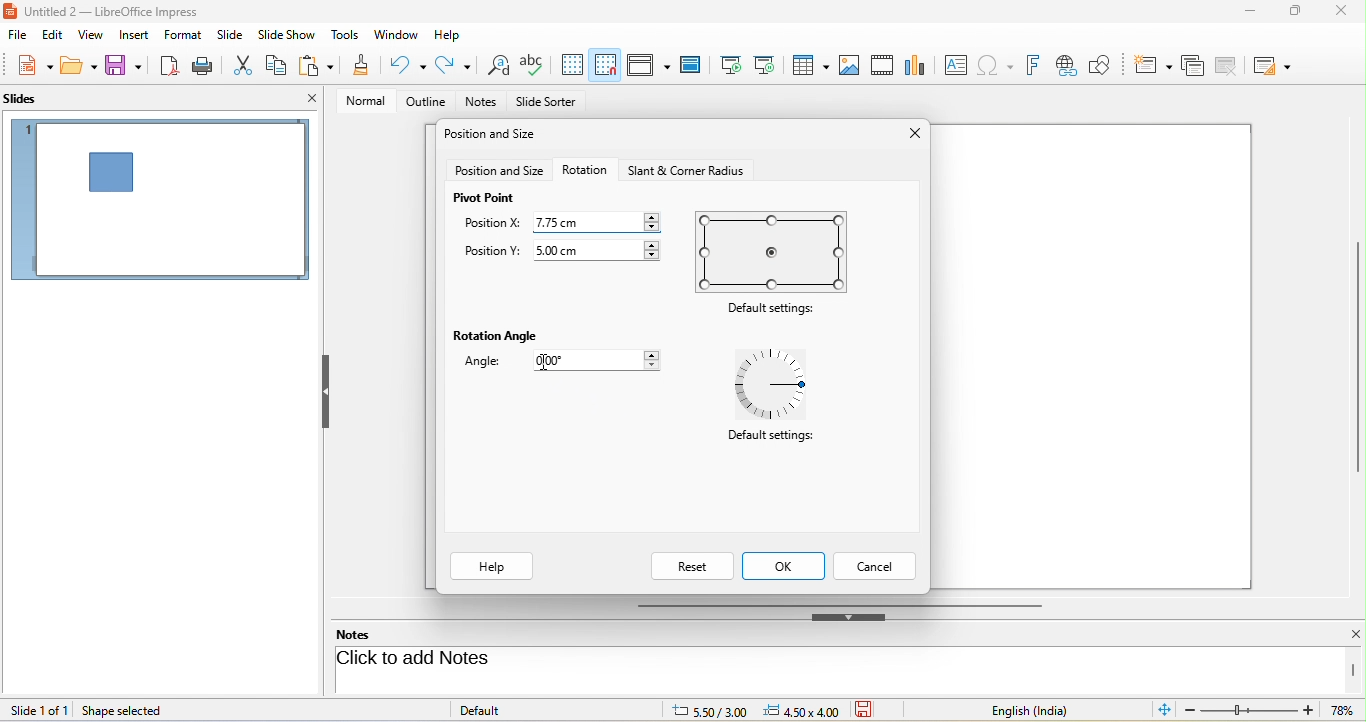 The height and width of the screenshot is (722, 1366). What do you see at coordinates (498, 337) in the screenshot?
I see `rotation angle` at bounding box center [498, 337].